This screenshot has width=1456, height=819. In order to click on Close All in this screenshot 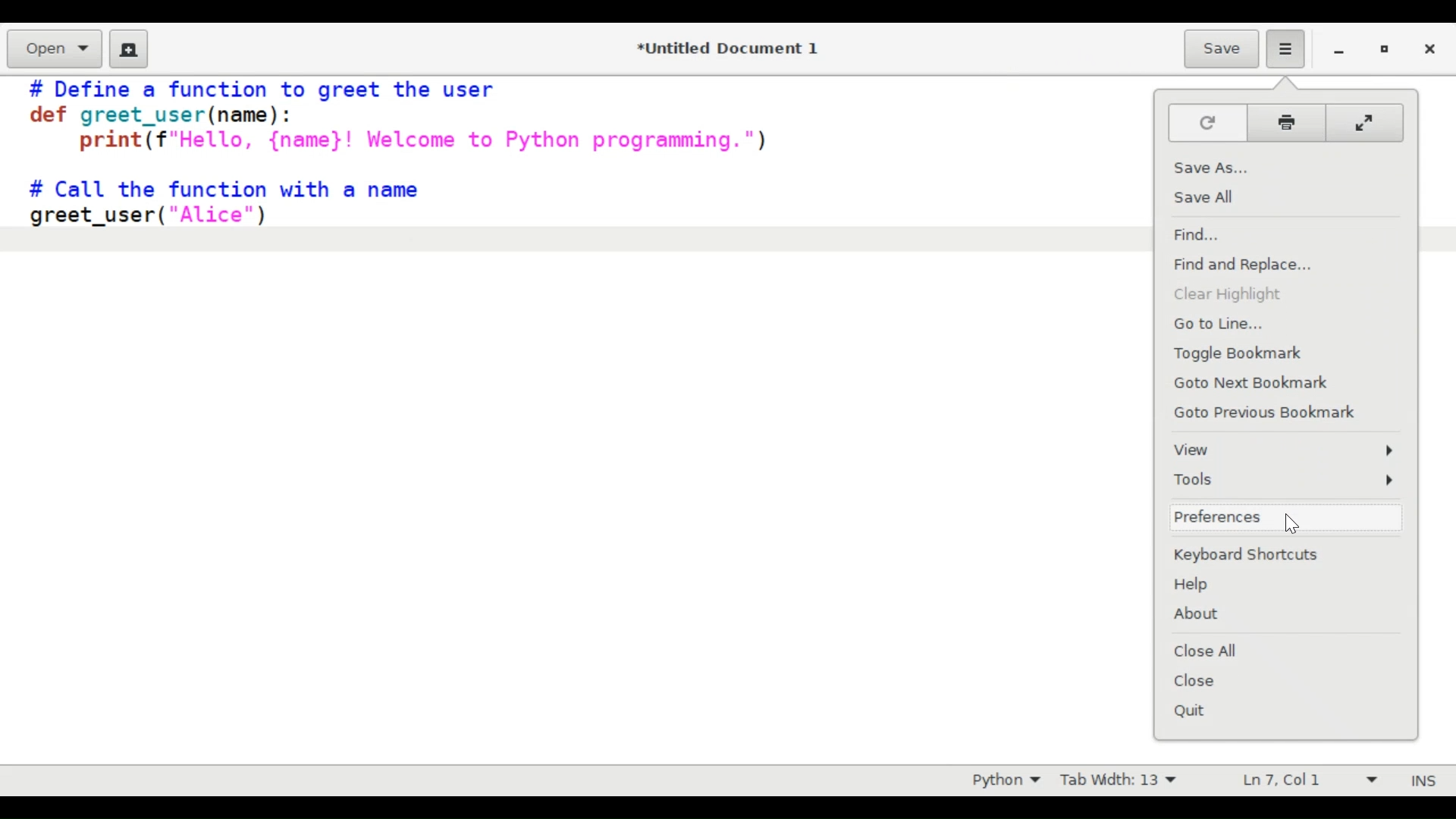, I will do `click(1269, 649)`.